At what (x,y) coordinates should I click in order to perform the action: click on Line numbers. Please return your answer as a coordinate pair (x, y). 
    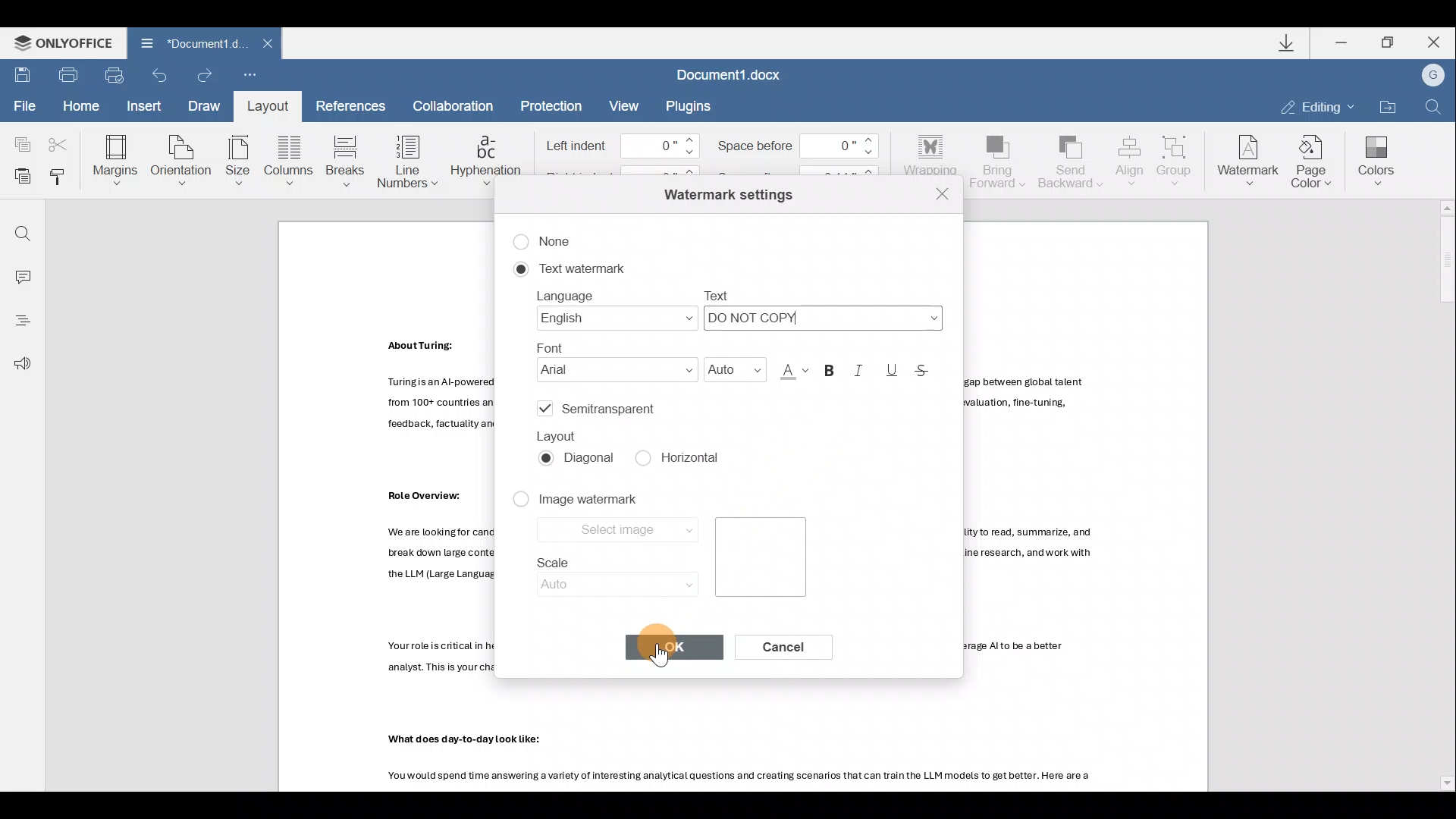
    Looking at the image, I should click on (405, 161).